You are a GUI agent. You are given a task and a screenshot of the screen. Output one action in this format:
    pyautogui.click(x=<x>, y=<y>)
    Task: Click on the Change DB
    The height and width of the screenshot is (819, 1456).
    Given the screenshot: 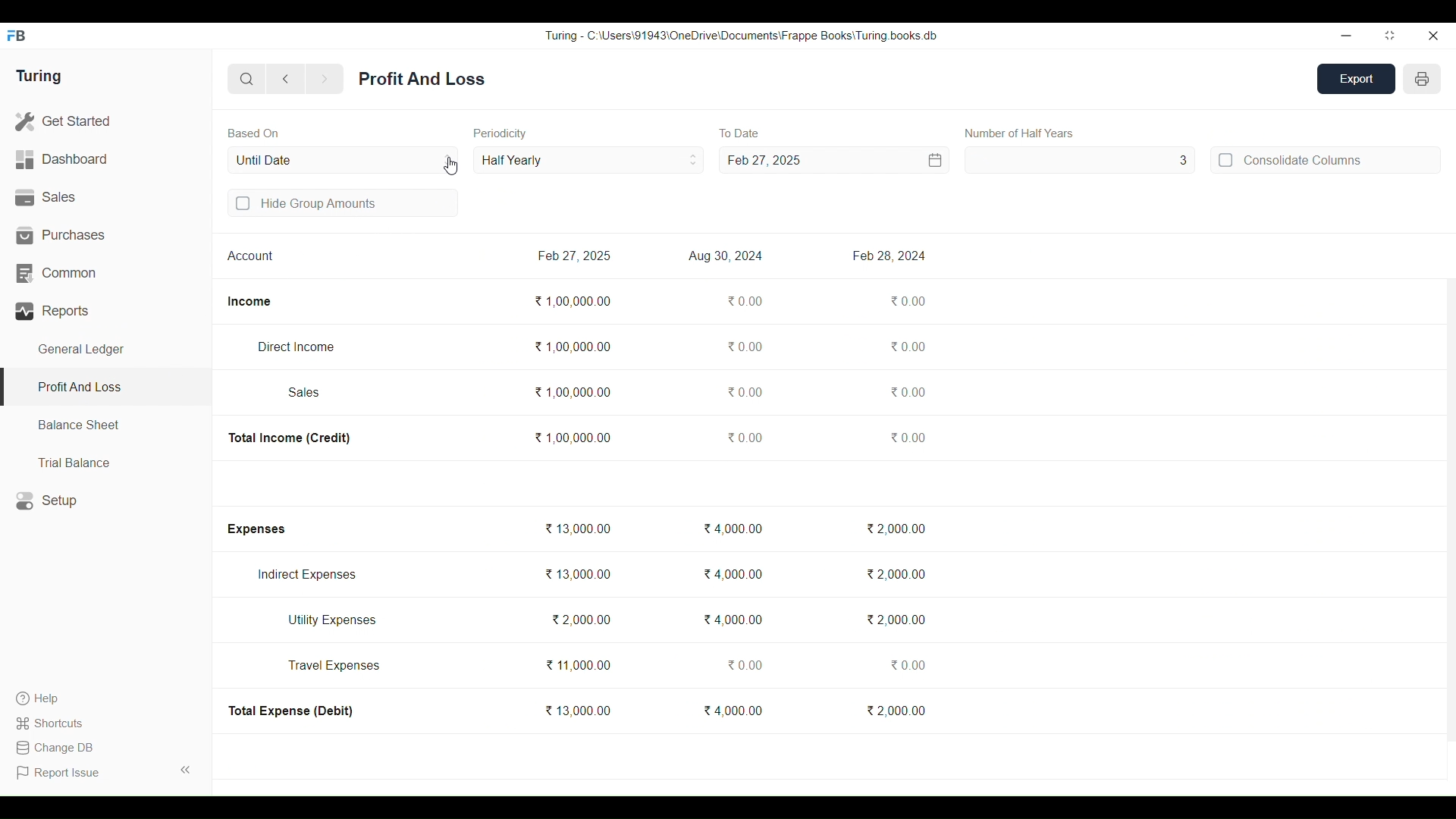 What is the action you would take?
    pyautogui.click(x=54, y=748)
    